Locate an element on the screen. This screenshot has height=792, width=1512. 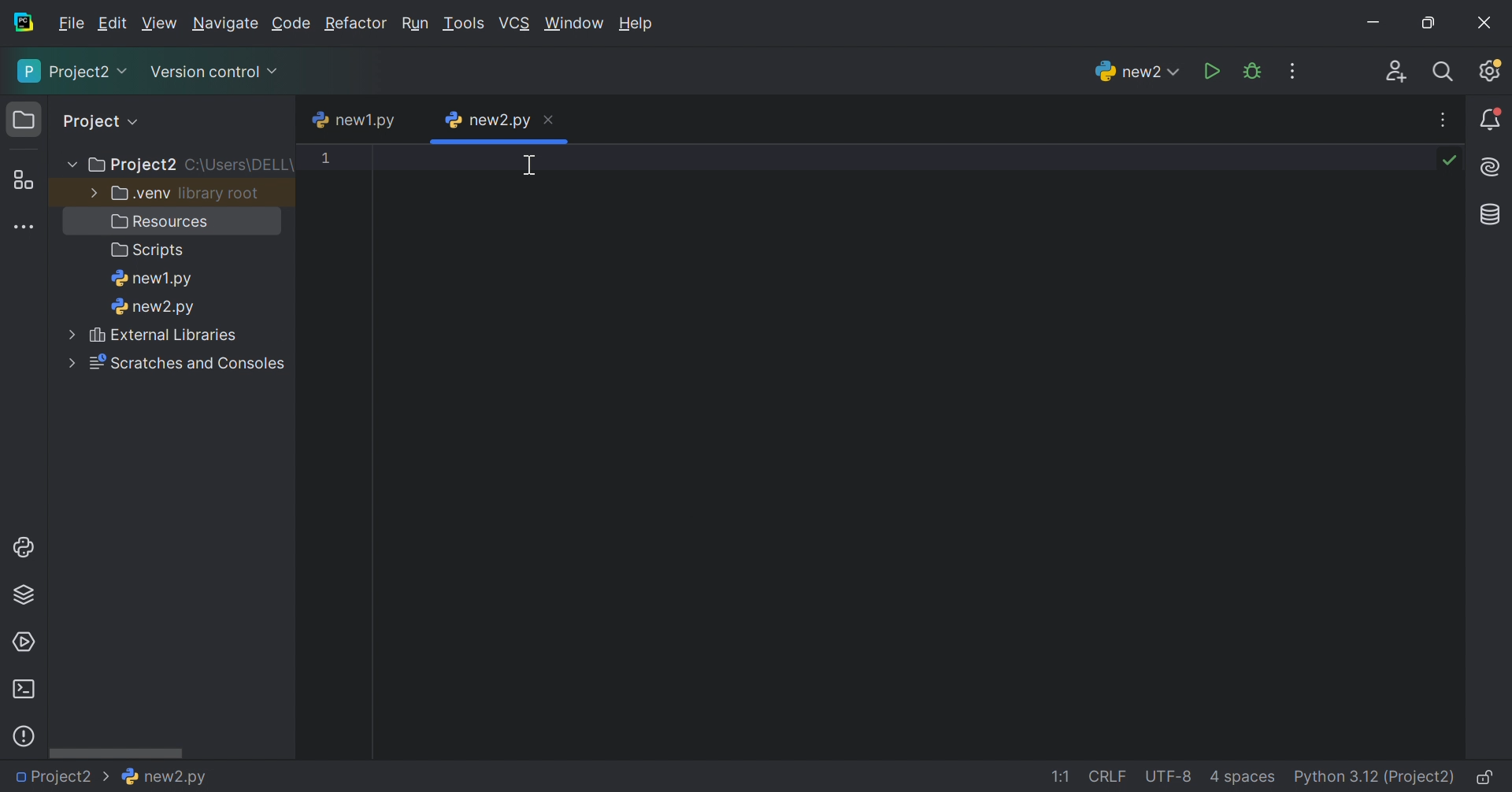
Help is located at coordinates (633, 21).